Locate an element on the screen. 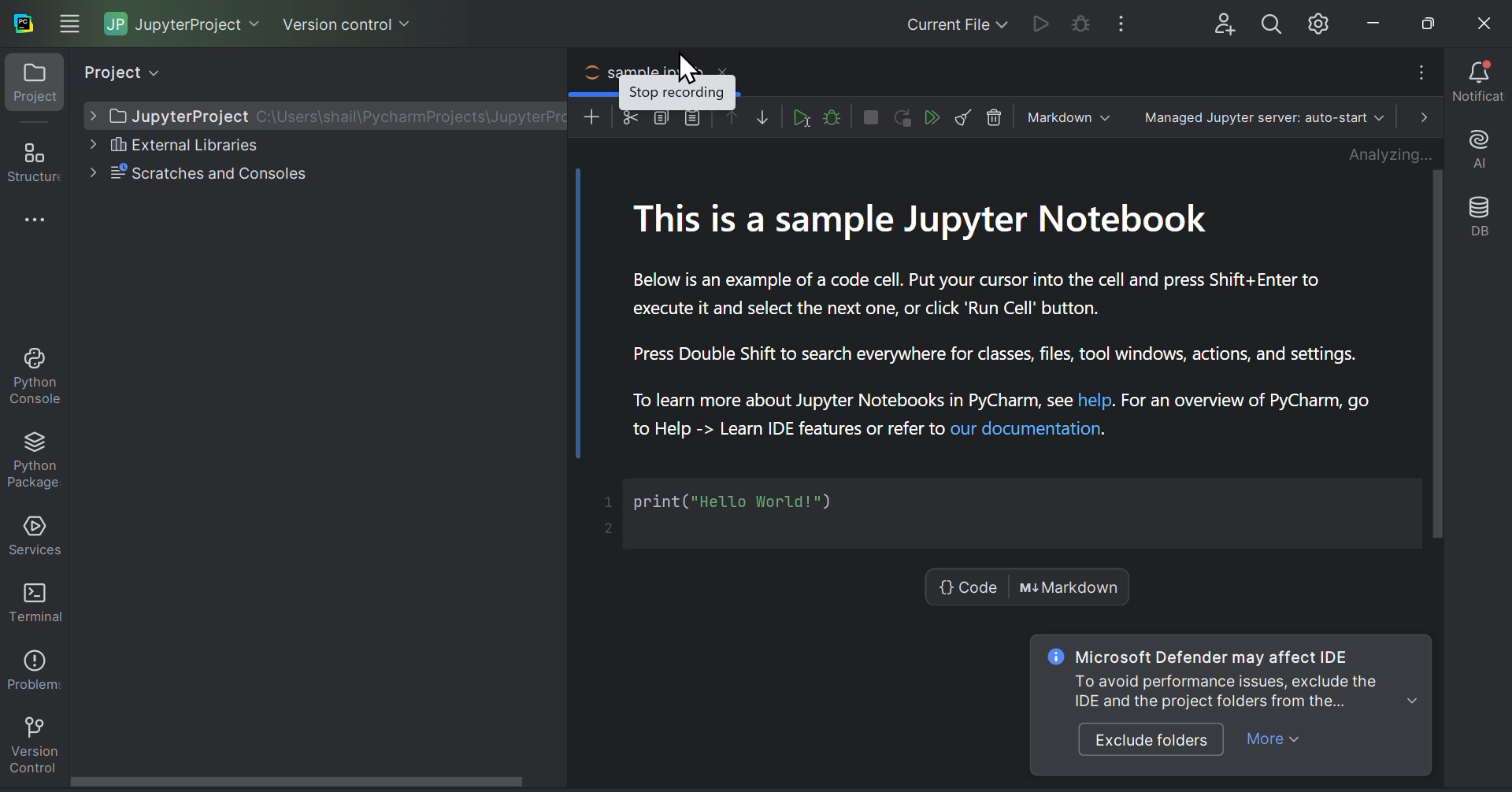 Image resolution: width=1512 pixels, height=792 pixels. scroll bar is located at coordinates (1440, 356).